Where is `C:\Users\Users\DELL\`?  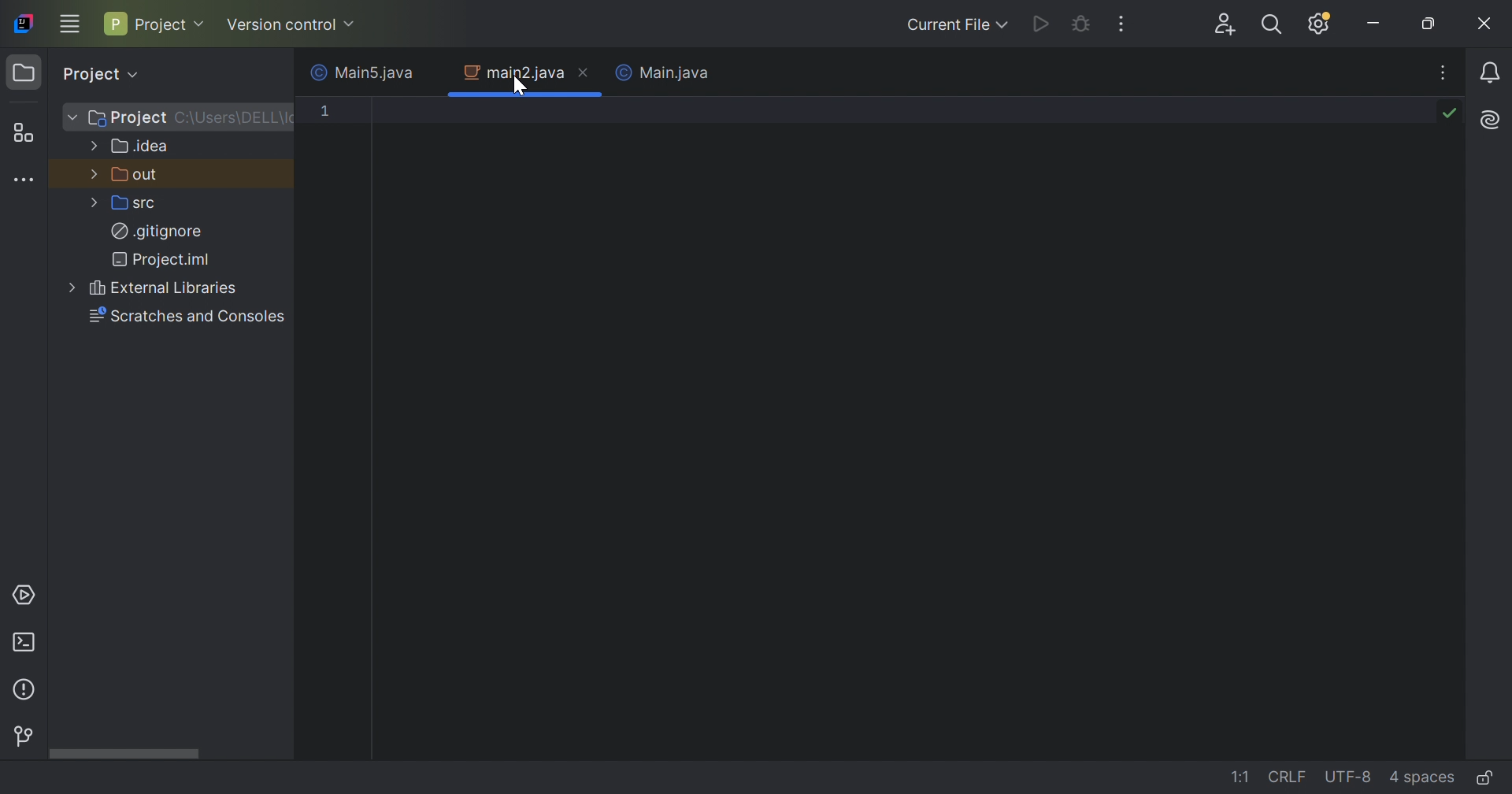
C:\Users\Users\DELL\ is located at coordinates (232, 118).